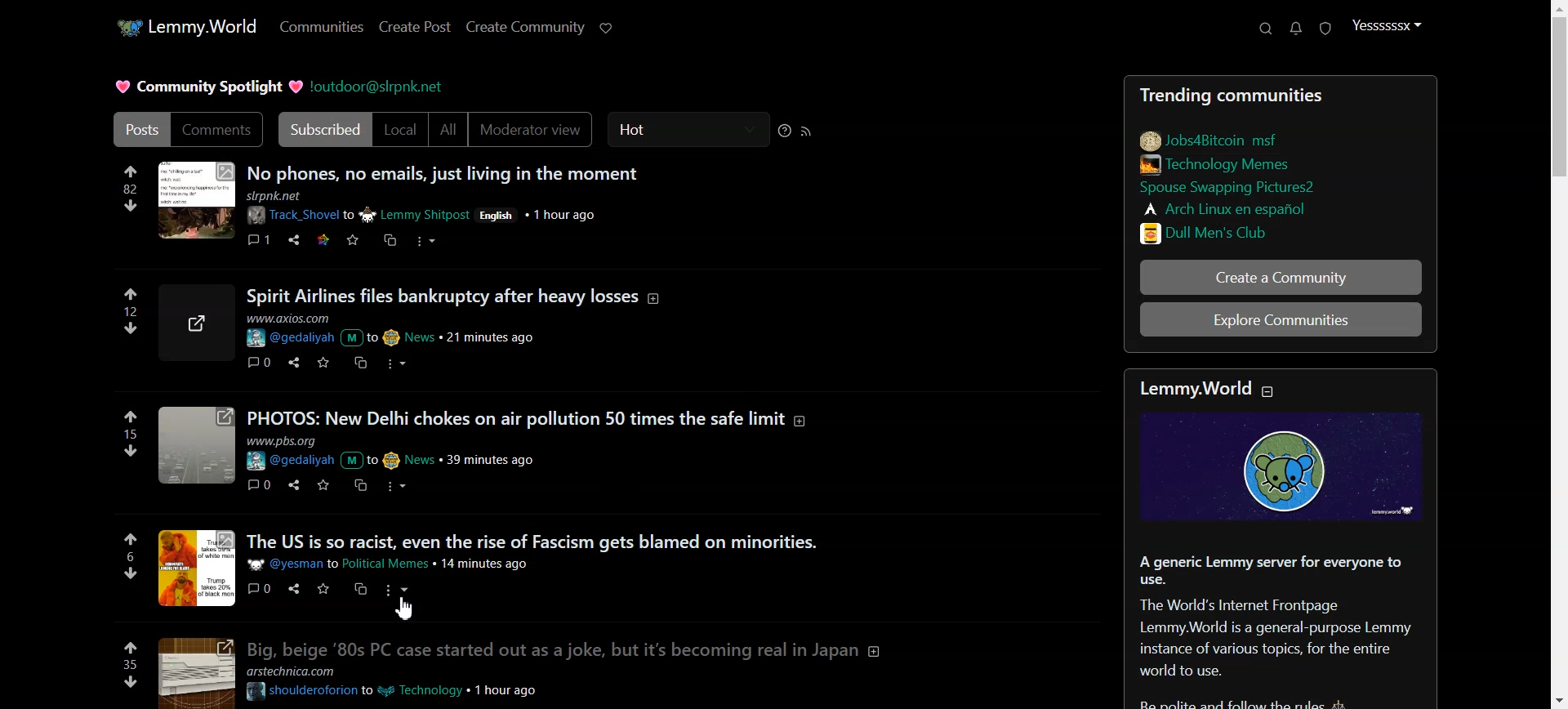  Describe the element at coordinates (205, 87) in the screenshot. I see `Text` at that location.